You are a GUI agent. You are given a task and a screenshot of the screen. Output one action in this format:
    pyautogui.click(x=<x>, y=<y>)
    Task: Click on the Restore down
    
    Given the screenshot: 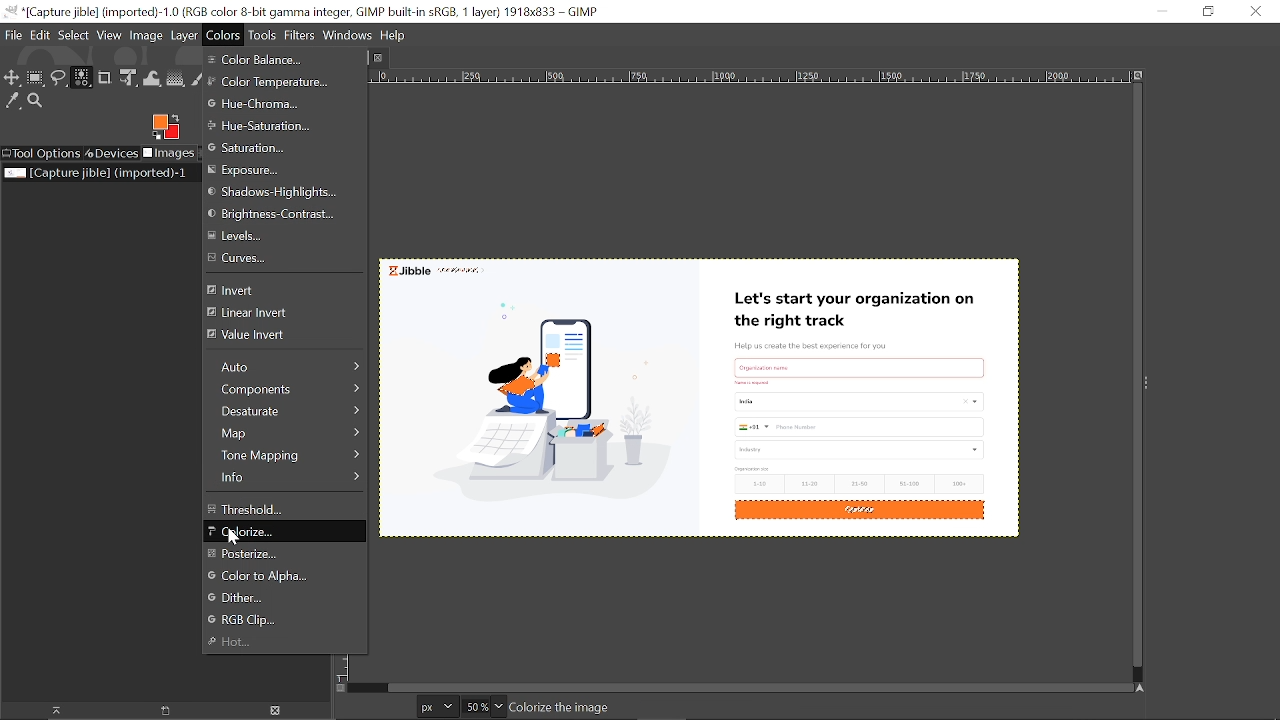 What is the action you would take?
    pyautogui.click(x=1208, y=12)
    